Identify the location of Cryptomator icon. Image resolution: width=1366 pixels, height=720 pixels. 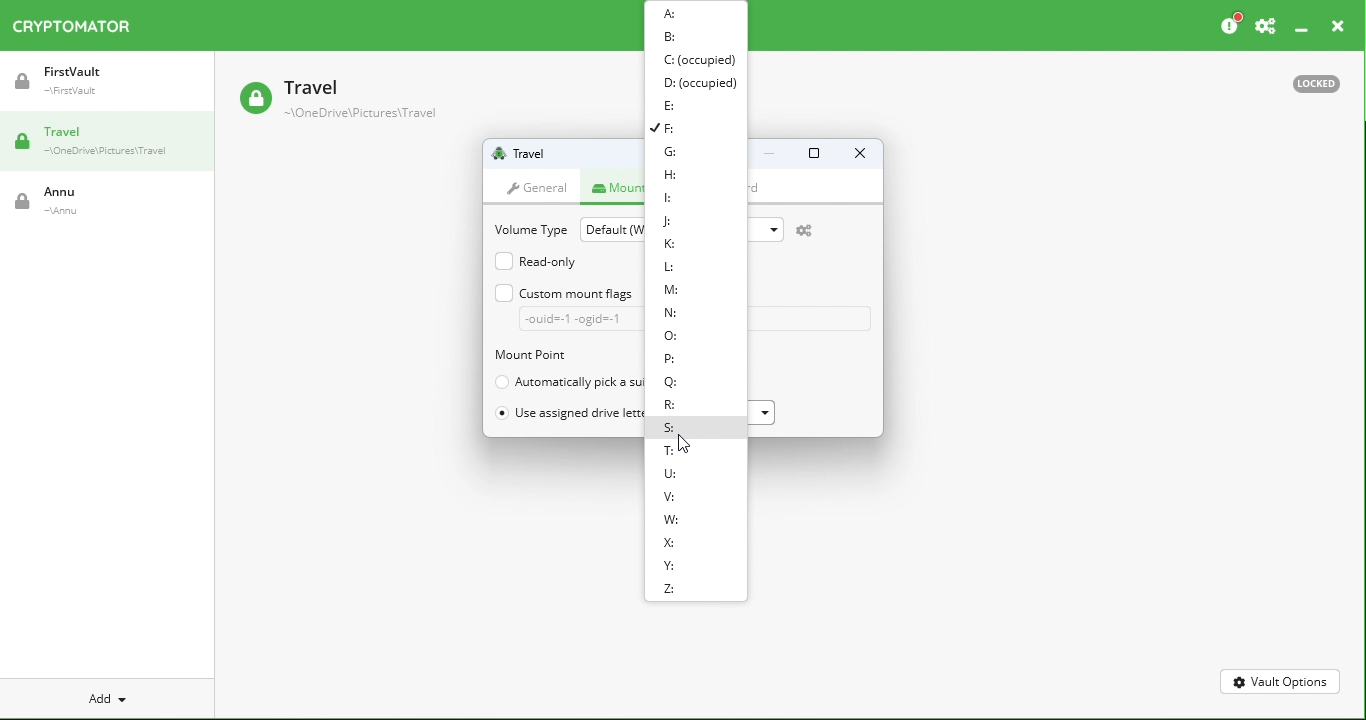
(81, 27).